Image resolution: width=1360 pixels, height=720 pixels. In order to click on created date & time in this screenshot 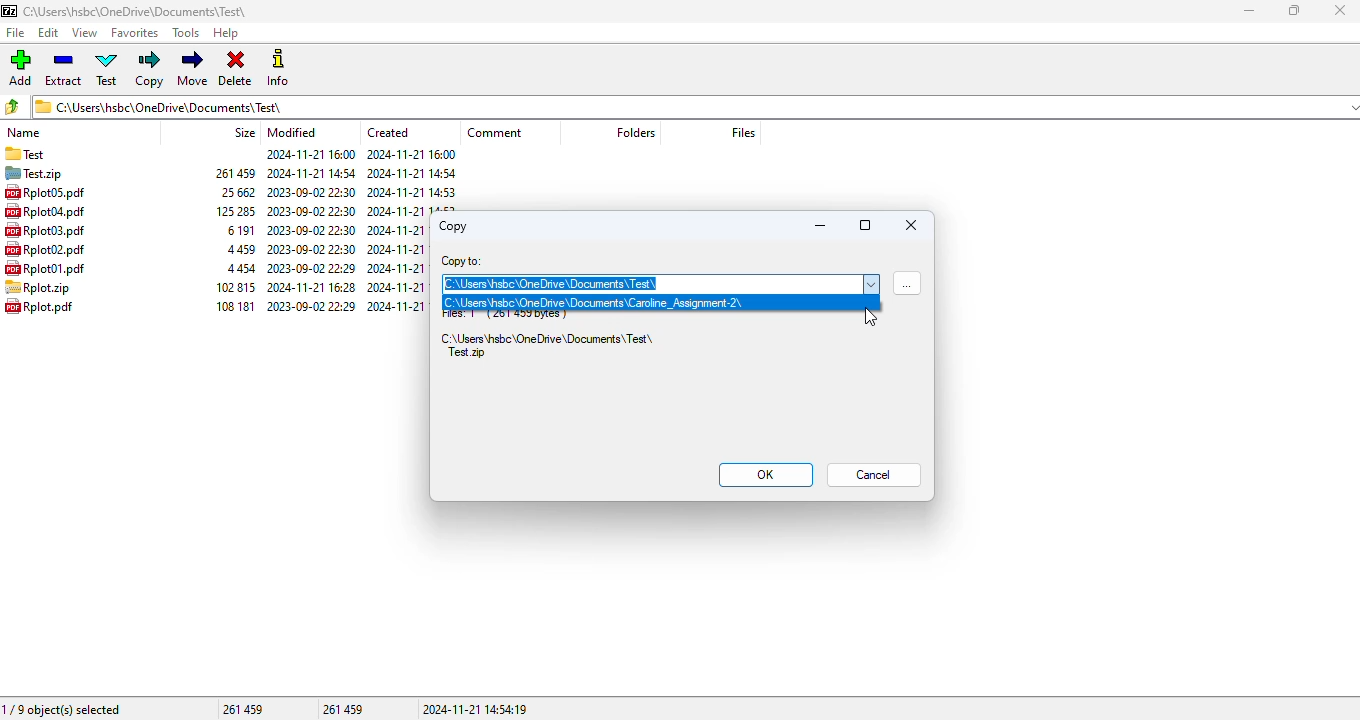, I will do `click(411, 191)`.